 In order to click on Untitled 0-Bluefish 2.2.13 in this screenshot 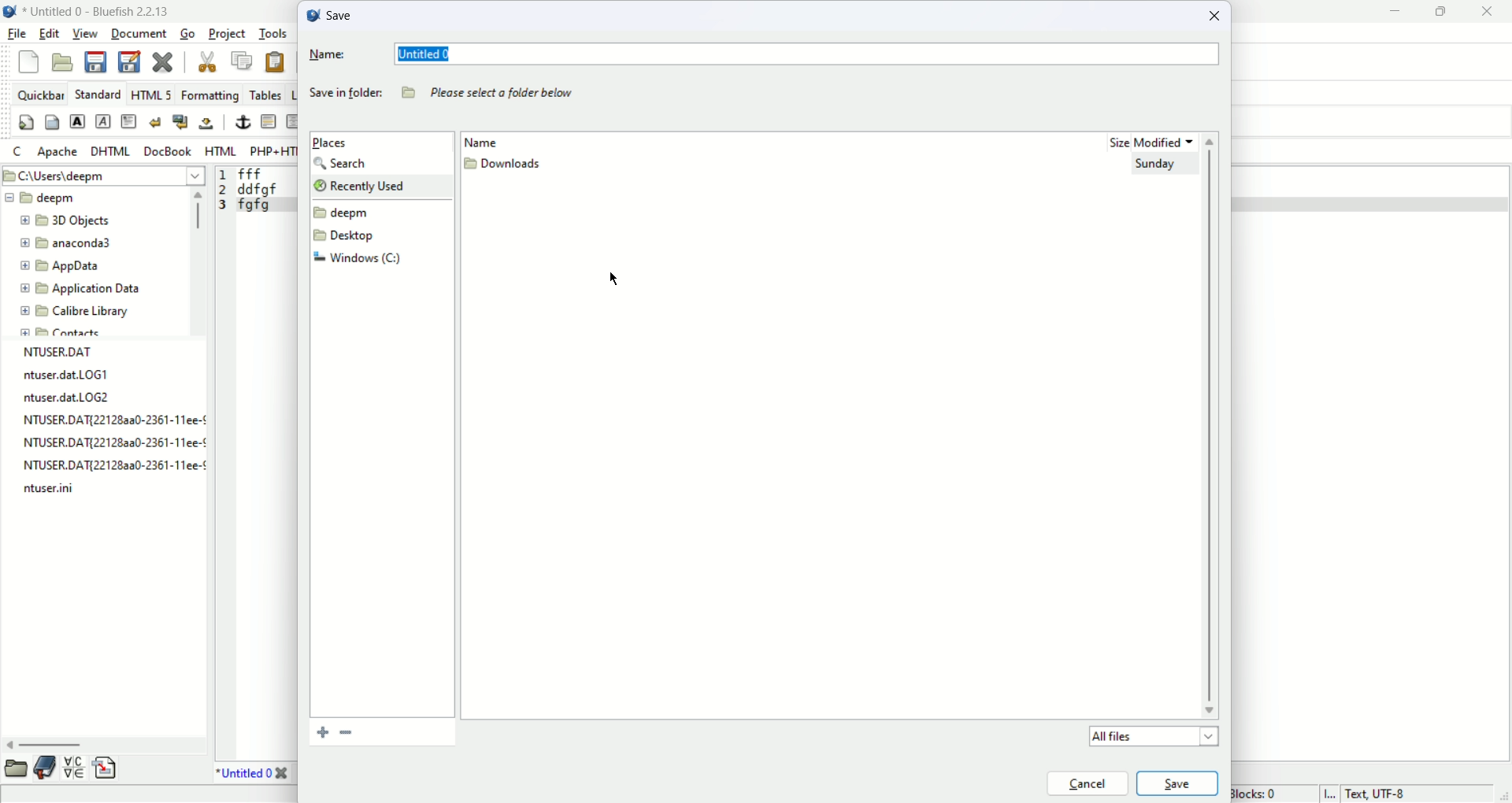, I will do `click(96, 12)`.